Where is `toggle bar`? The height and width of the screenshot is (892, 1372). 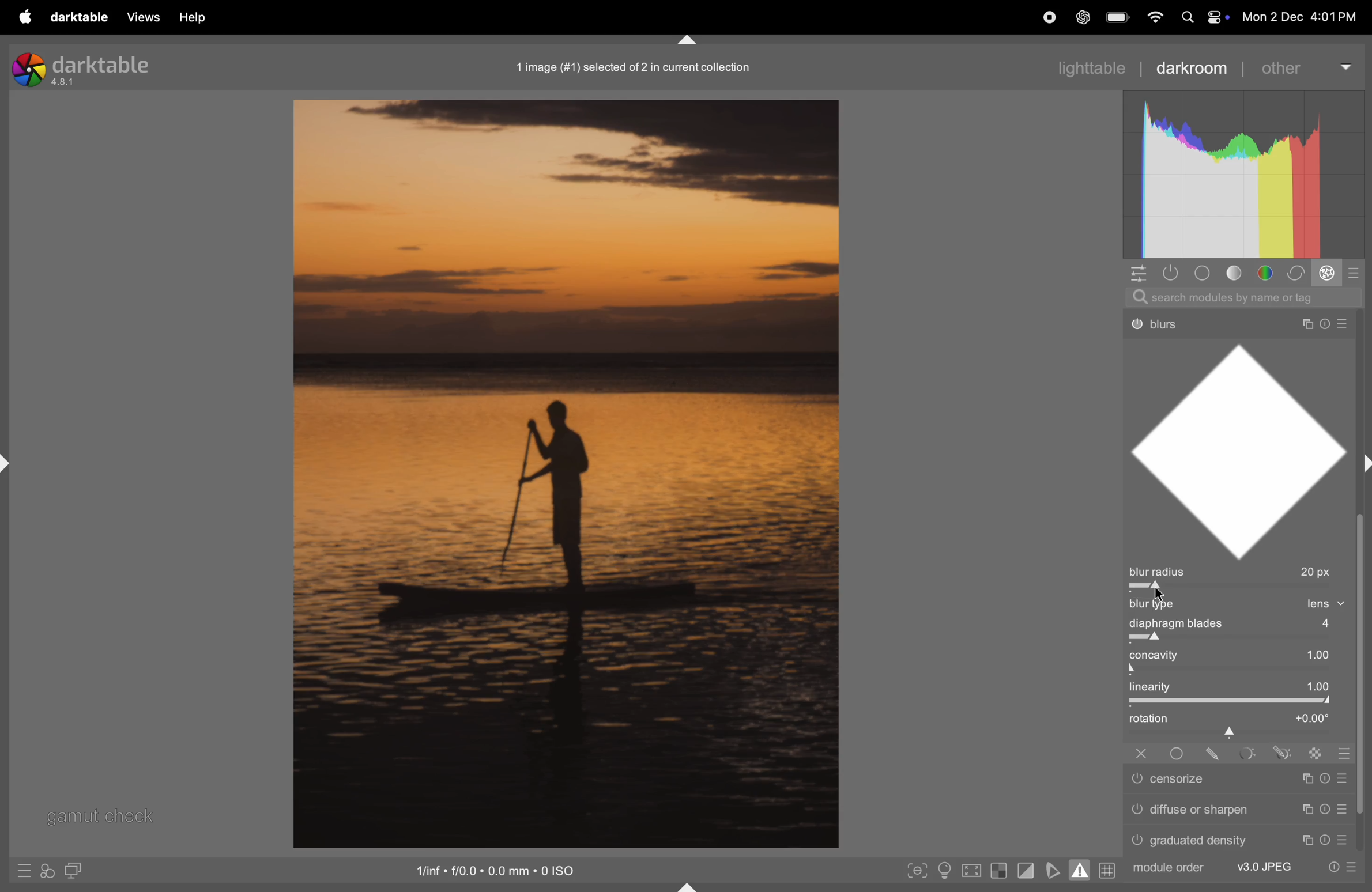 toggle bar is located at coordinates (1239, 588).